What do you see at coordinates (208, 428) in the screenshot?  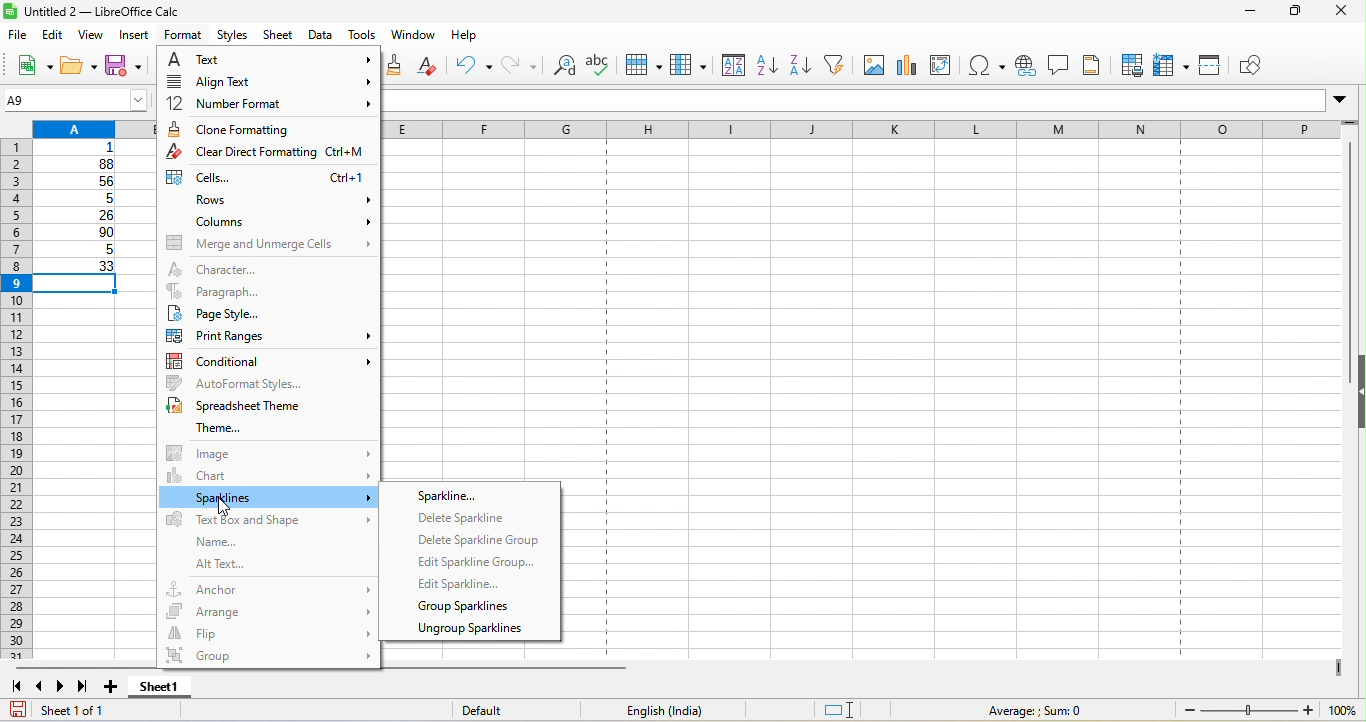 I see `theme` at bounding box center [208, 428].